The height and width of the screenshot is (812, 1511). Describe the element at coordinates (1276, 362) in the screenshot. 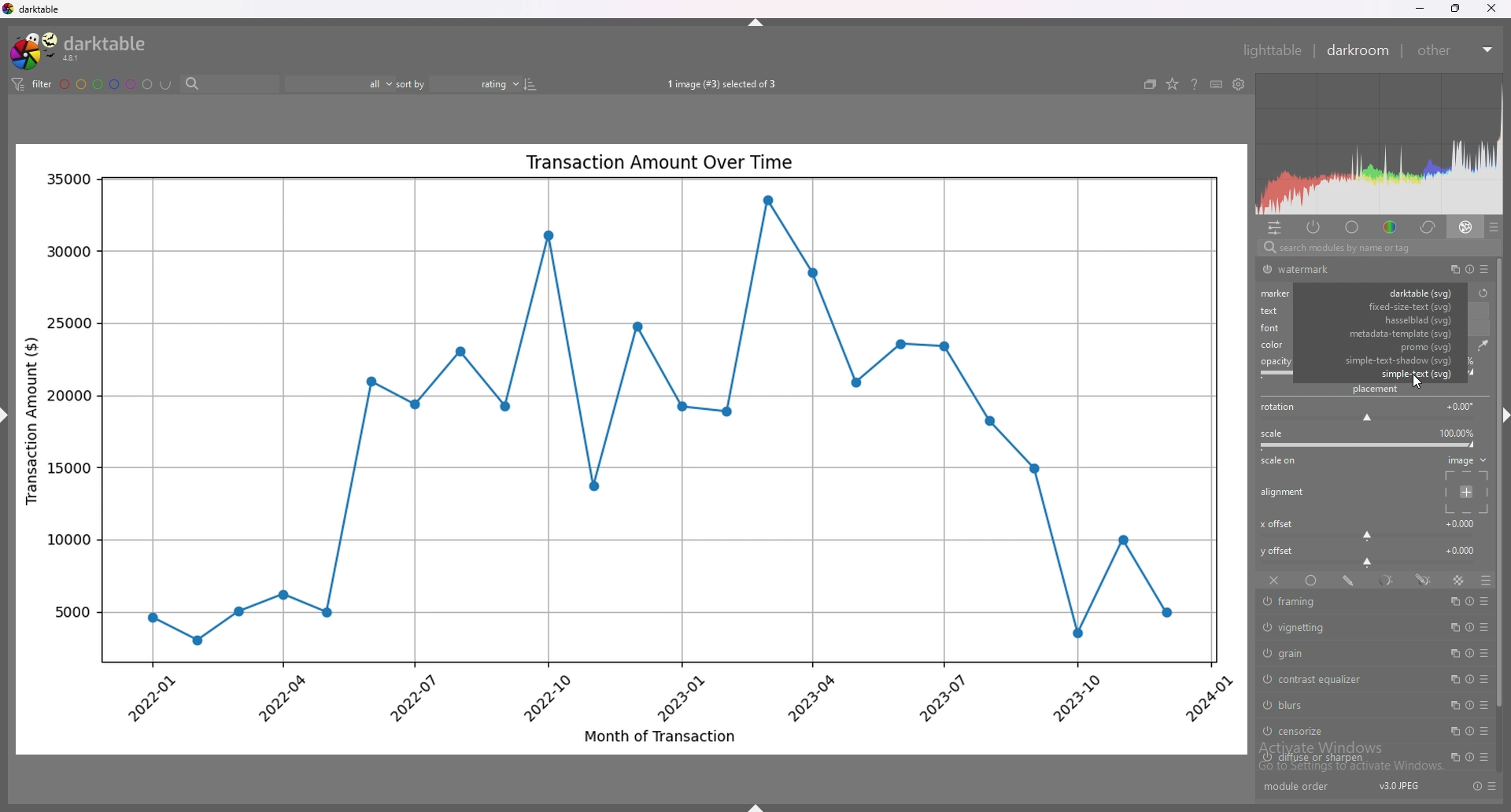

I see `opacity` at that location.